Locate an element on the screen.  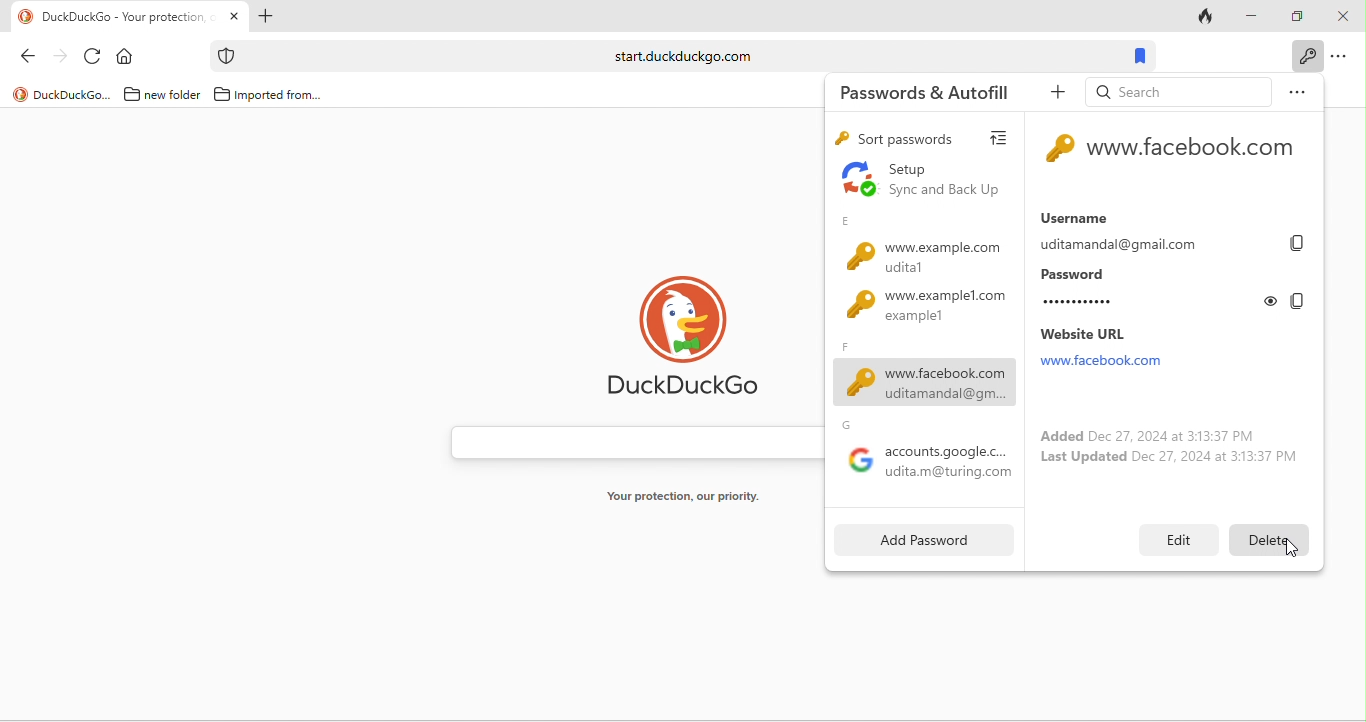
close tab is located at coordinates (235, 16).